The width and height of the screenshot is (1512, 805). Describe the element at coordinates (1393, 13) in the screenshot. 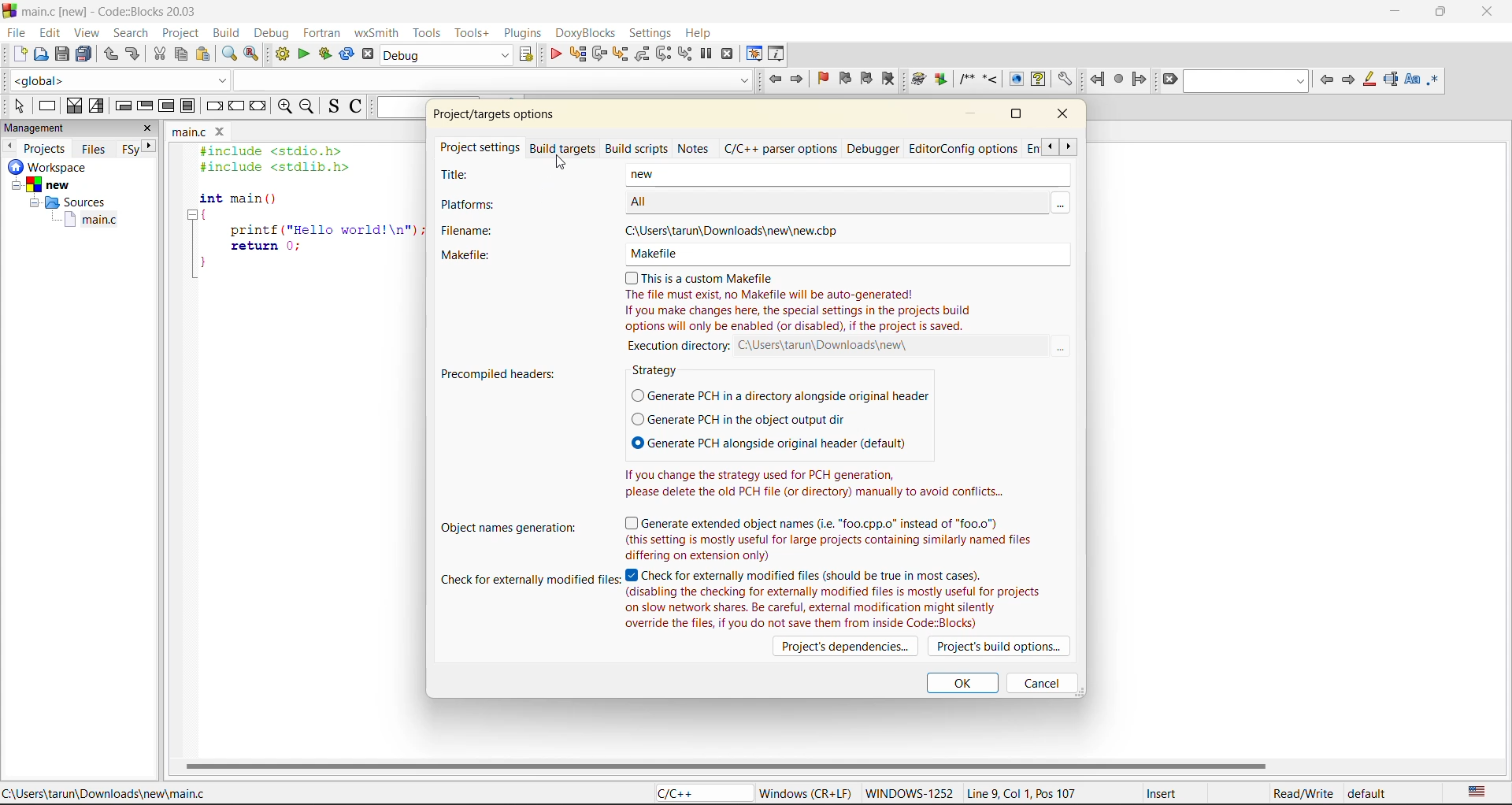

I see `minimize` at that location.